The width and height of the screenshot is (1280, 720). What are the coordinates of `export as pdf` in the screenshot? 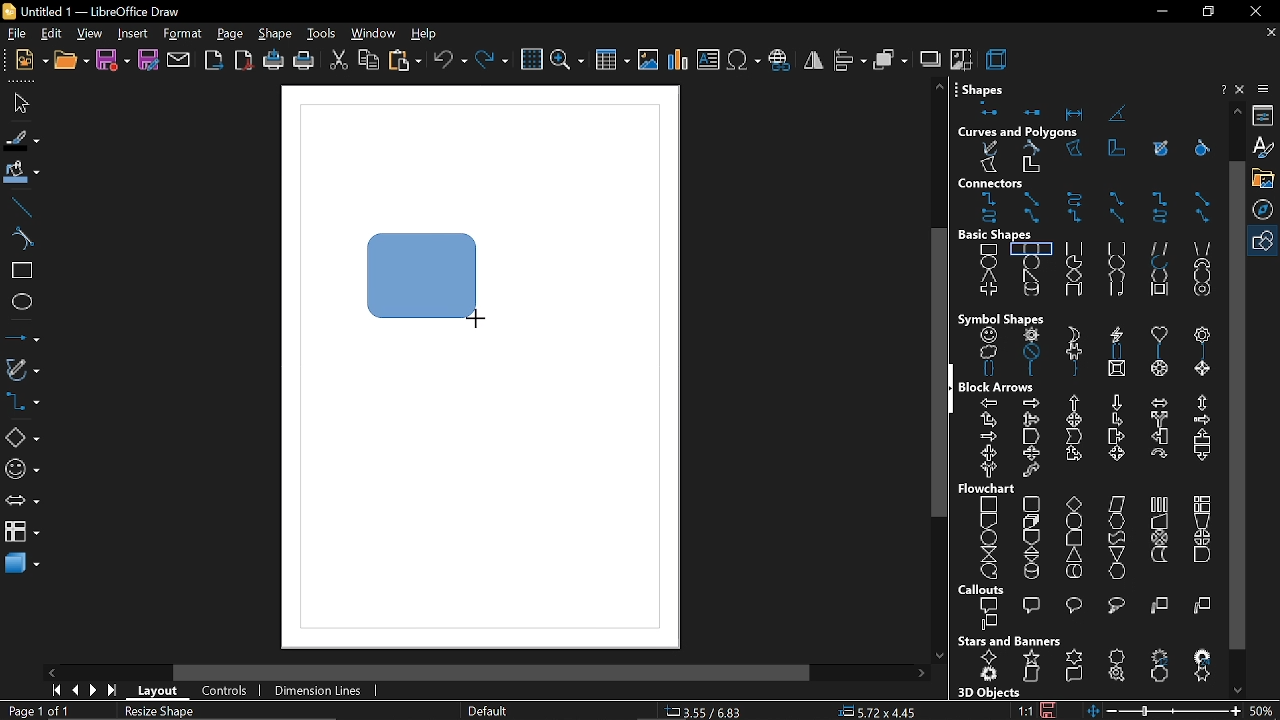 It's located at (244, 60).